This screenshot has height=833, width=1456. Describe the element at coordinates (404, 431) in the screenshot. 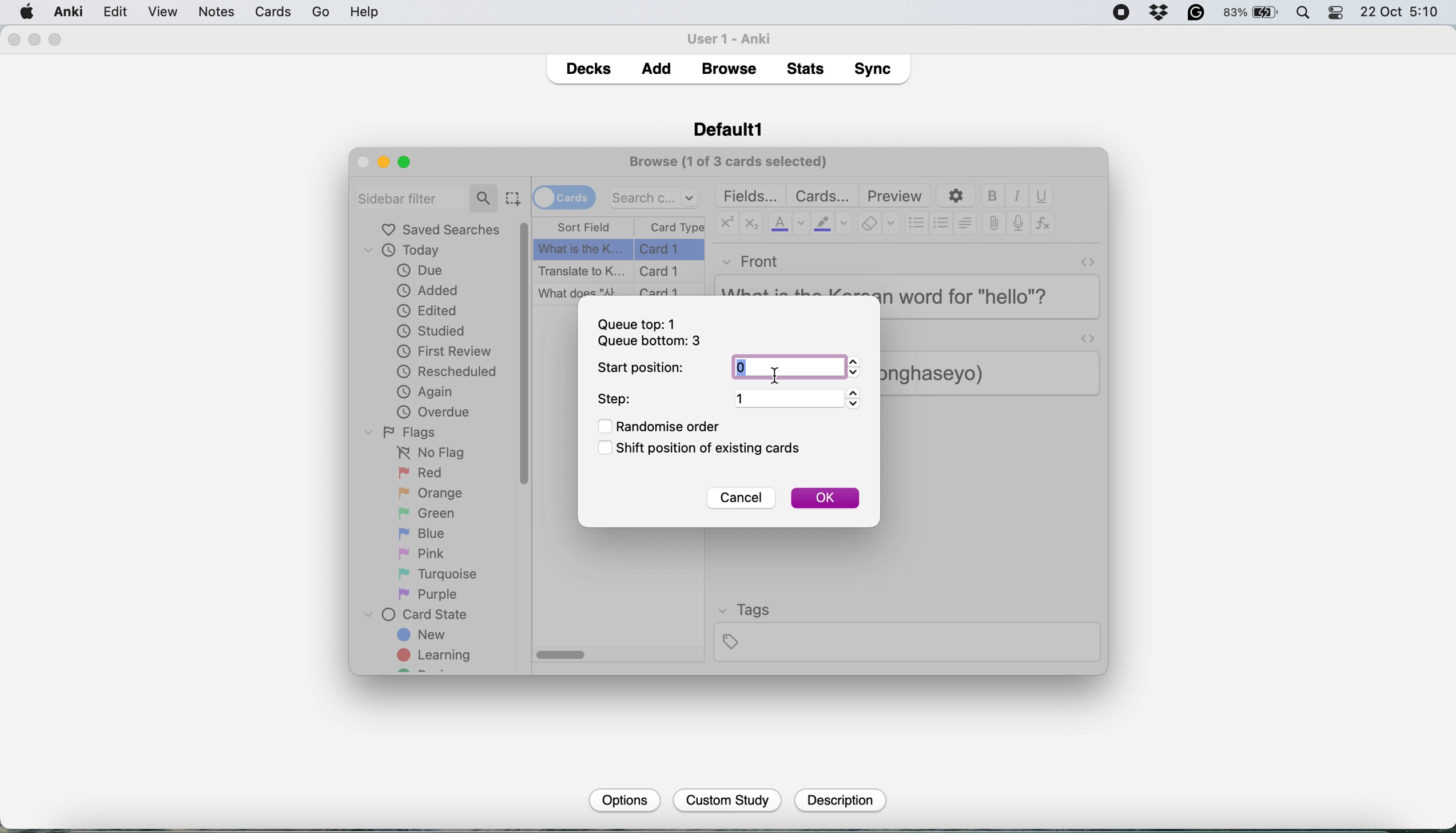

I see `flags` at that location.